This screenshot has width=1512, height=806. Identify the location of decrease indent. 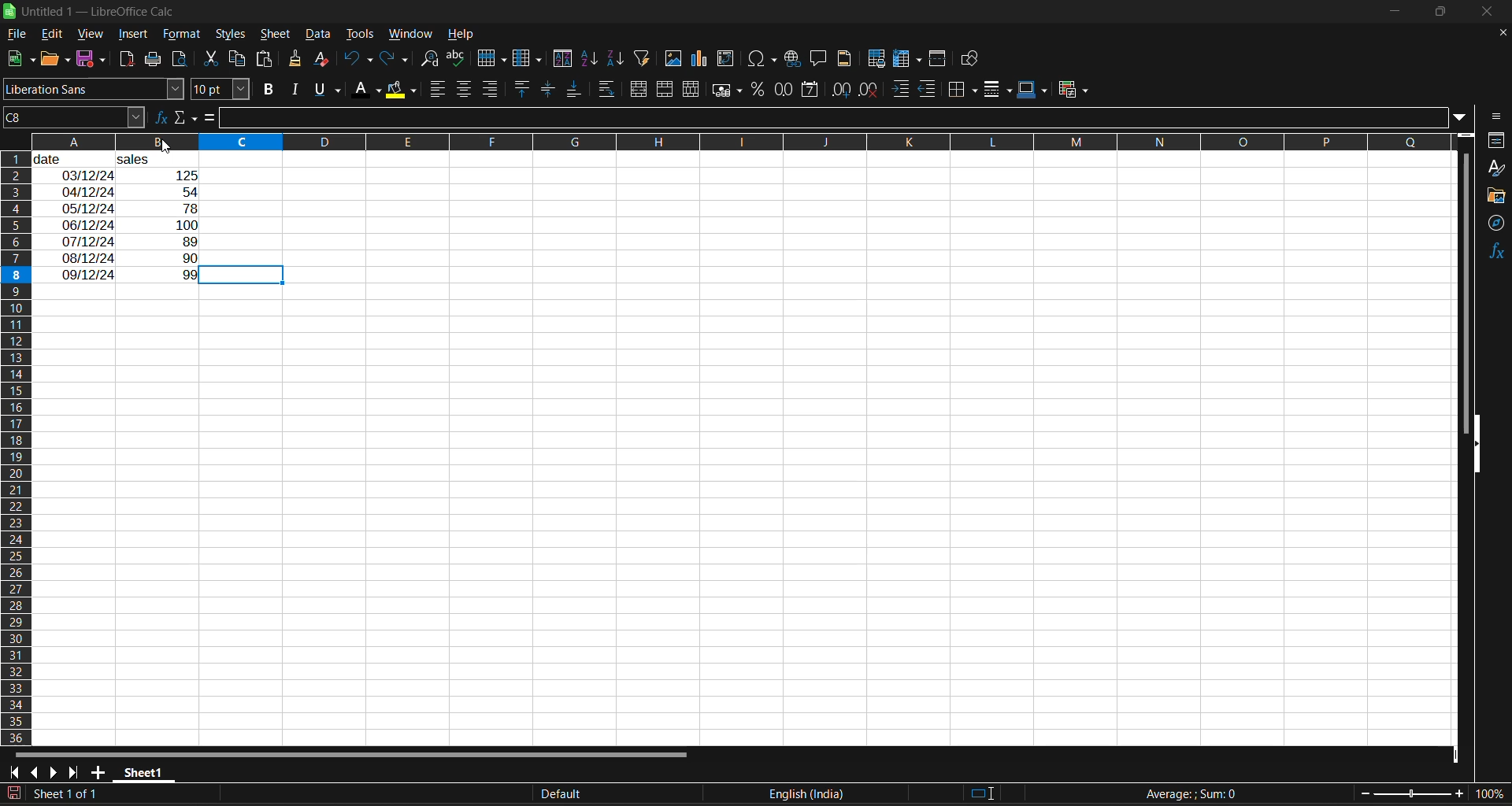
(930, 90).